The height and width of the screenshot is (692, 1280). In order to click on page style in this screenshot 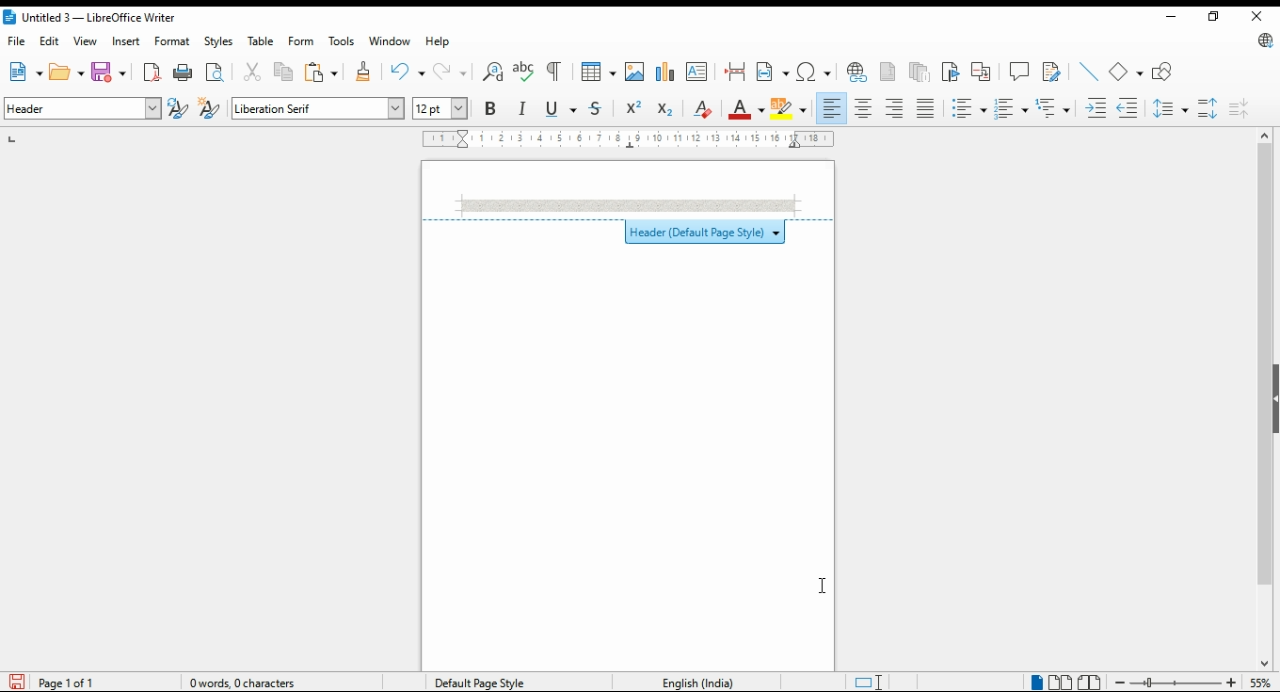, I will do `click(484, 682)`.